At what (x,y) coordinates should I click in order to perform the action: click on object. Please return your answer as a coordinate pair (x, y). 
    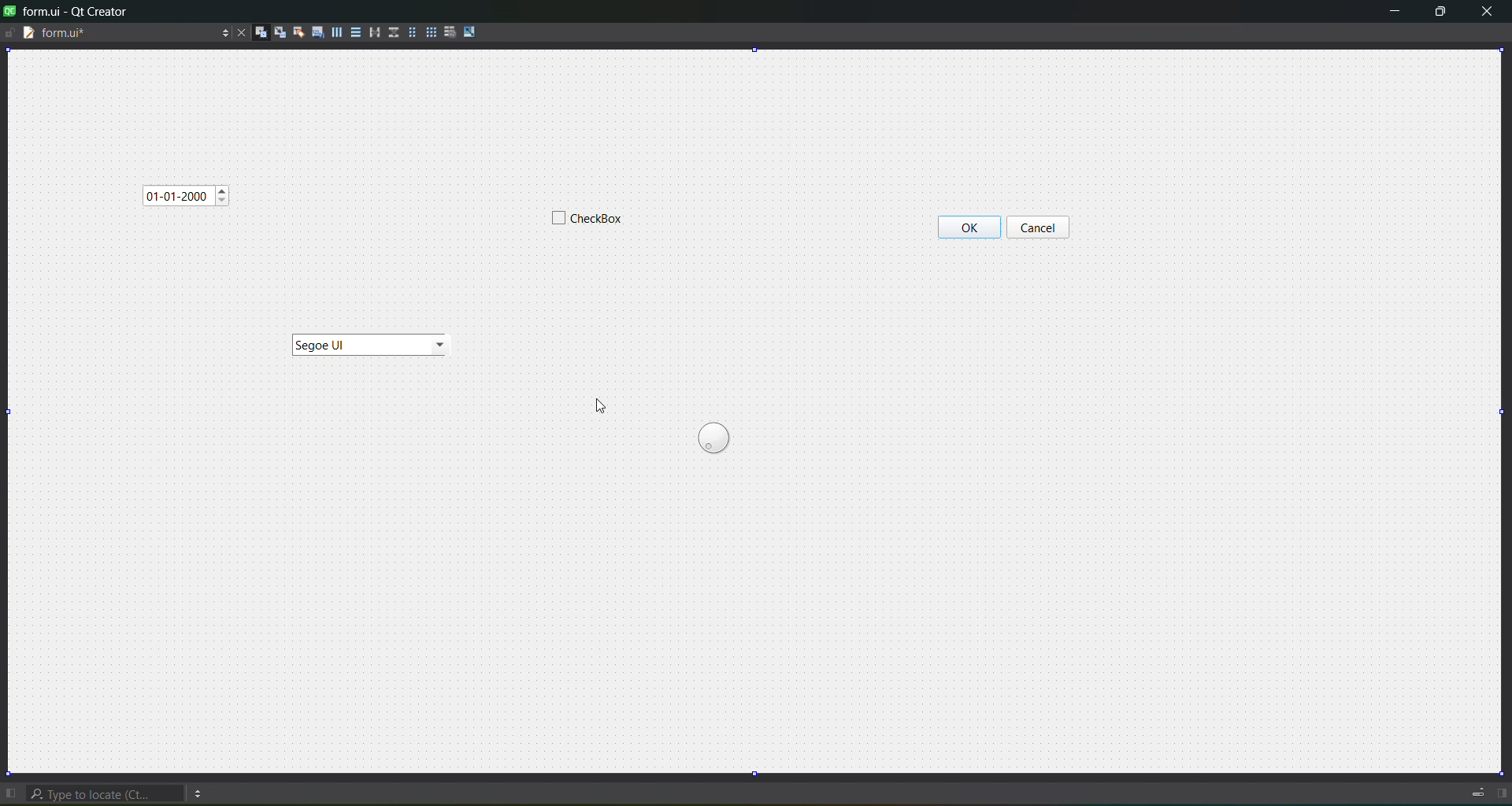
    Looking at the image, I should click on (1043, 217).